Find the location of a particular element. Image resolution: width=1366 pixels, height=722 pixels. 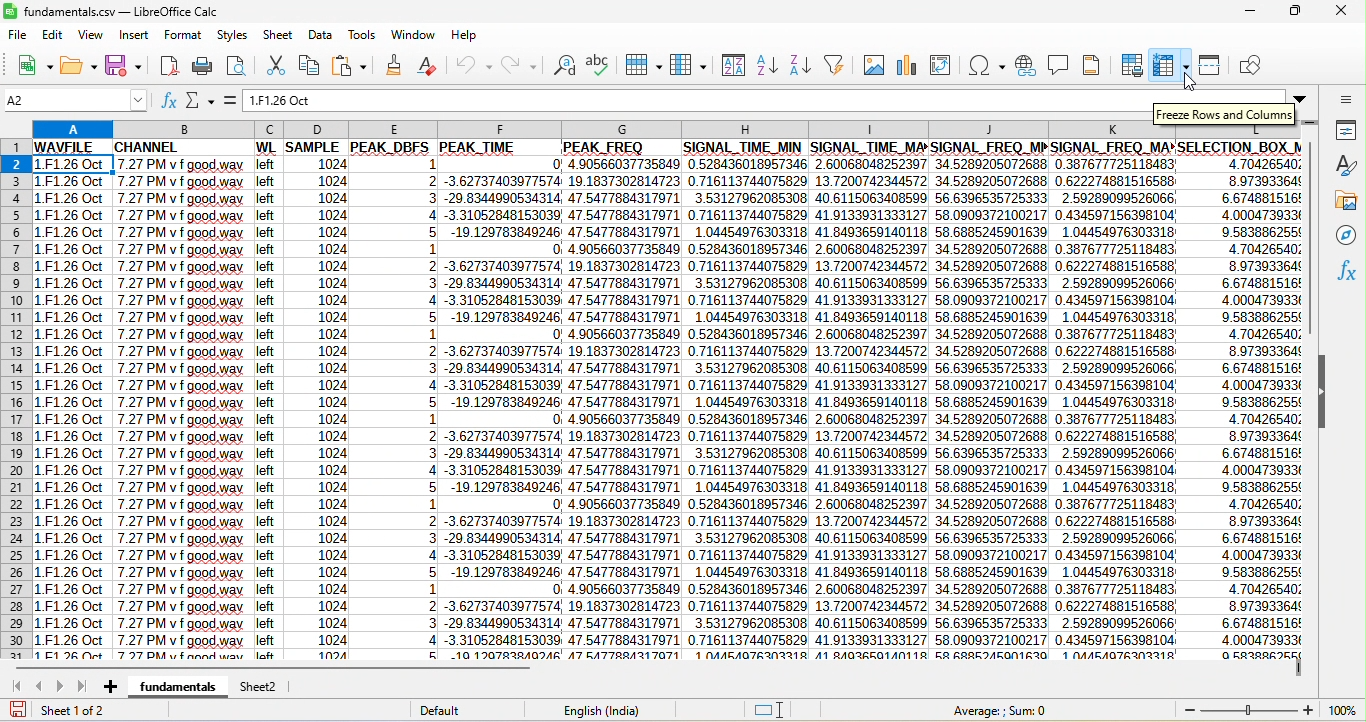

sidebar setting is located at coordinates (1346, 100).